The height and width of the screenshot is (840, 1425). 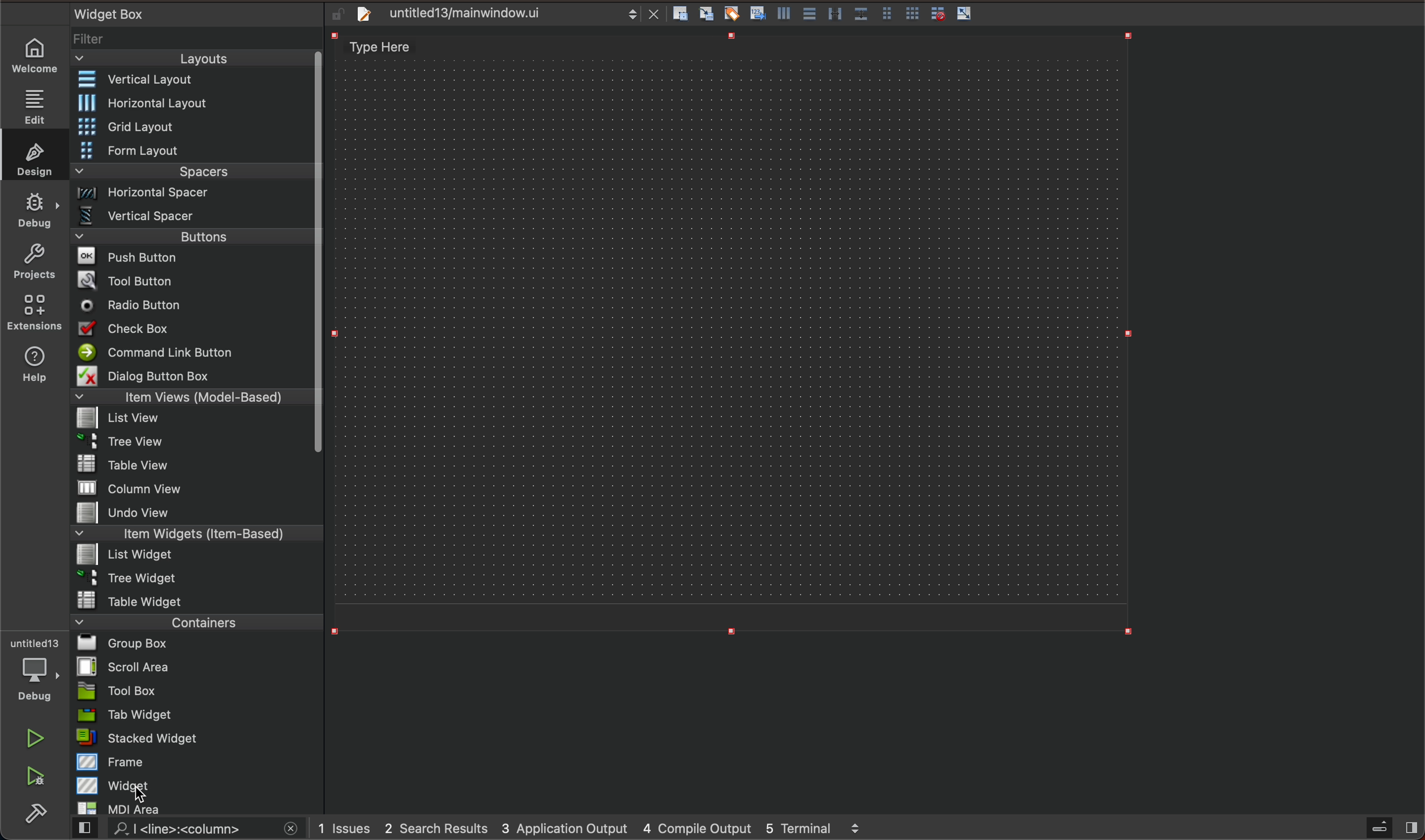 What do you see at coordinates (759, 12) in the screenshot?
I see `tab order` at bounding box center [759, 12].